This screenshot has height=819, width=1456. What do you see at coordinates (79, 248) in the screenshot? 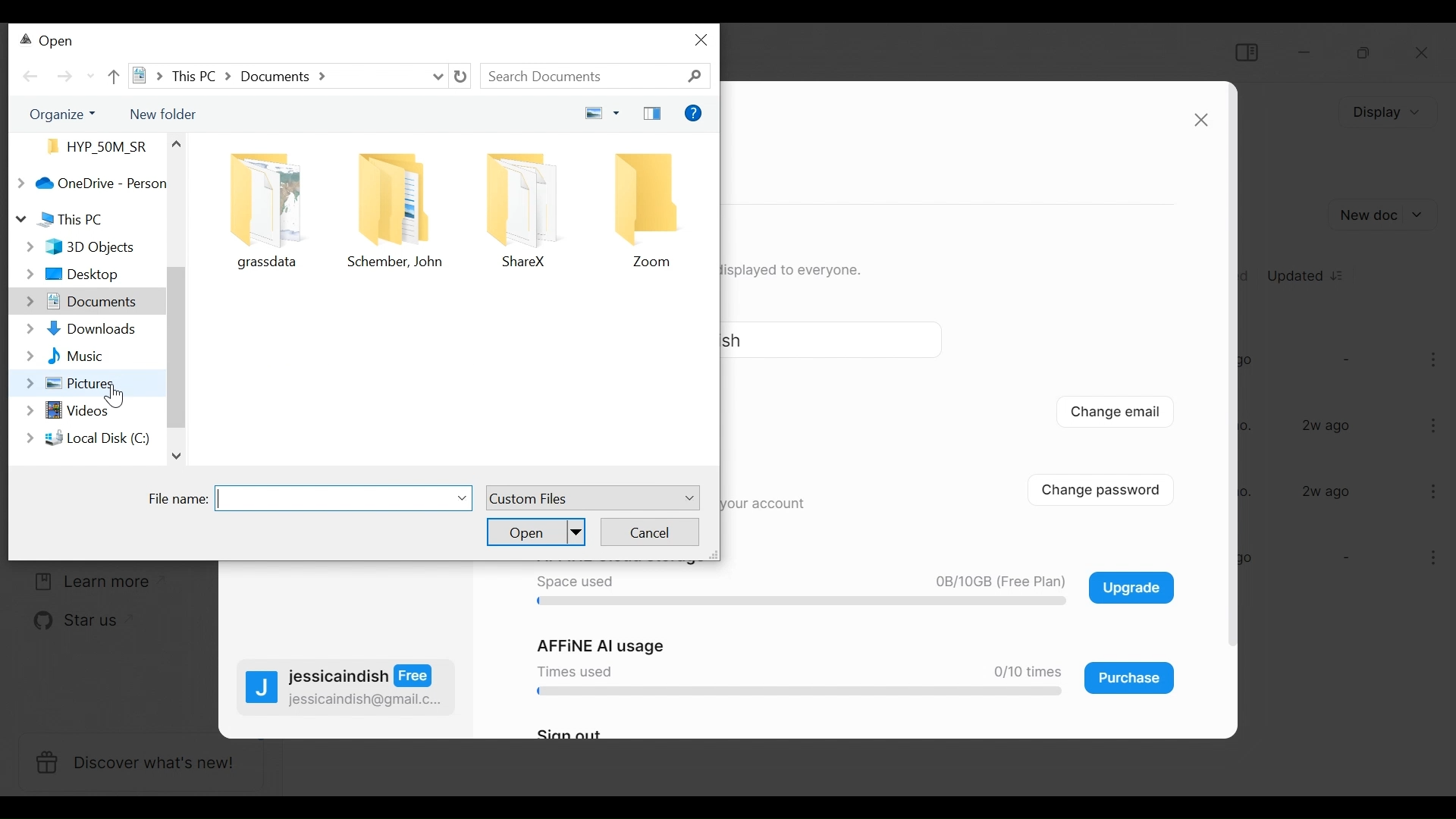
I see `3D Objects` at bounding box center [79, 248].